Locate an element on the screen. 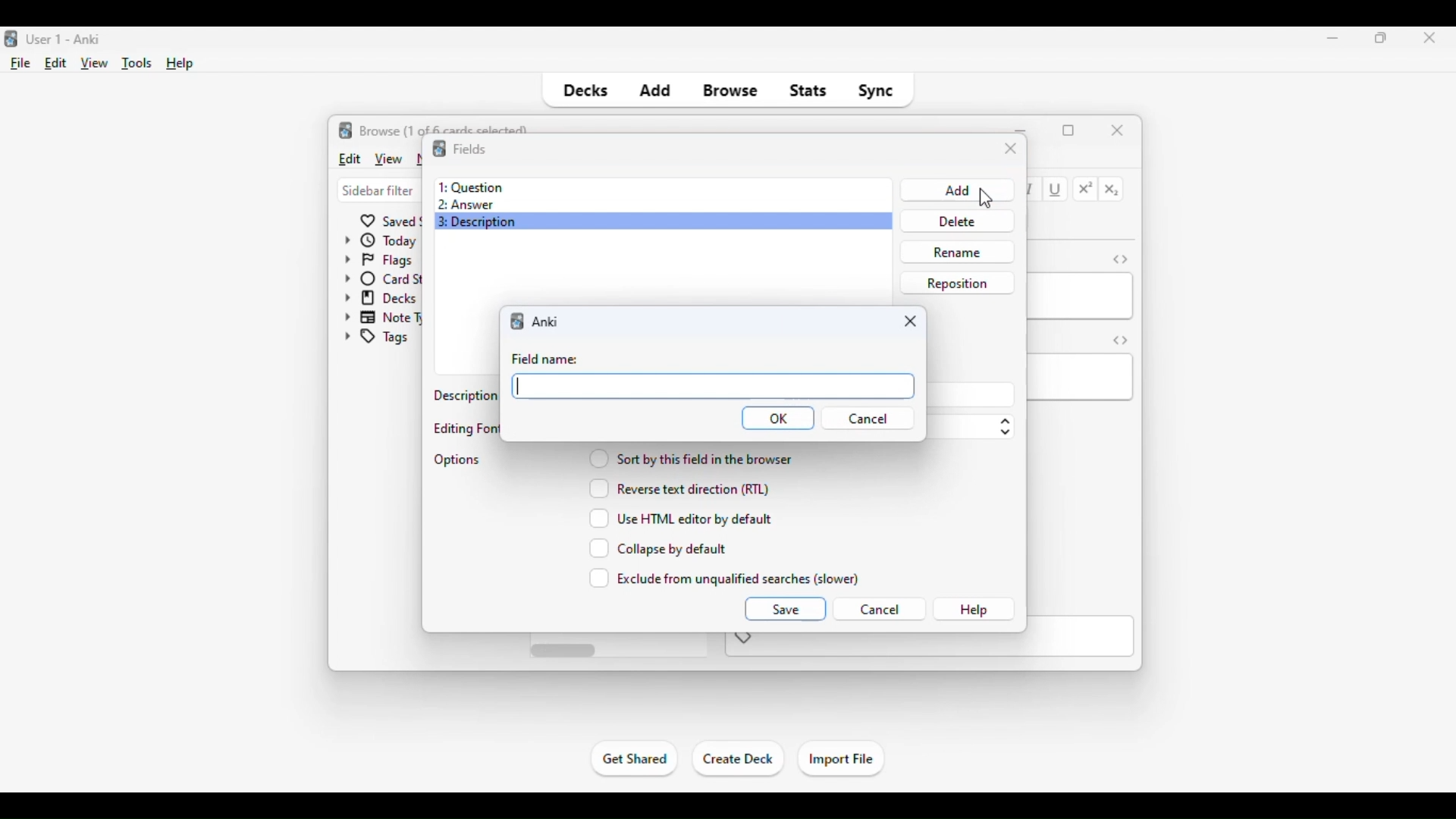 The width and height of the screenshot is (1456, 819). stats is located at coordinates (808, 91).